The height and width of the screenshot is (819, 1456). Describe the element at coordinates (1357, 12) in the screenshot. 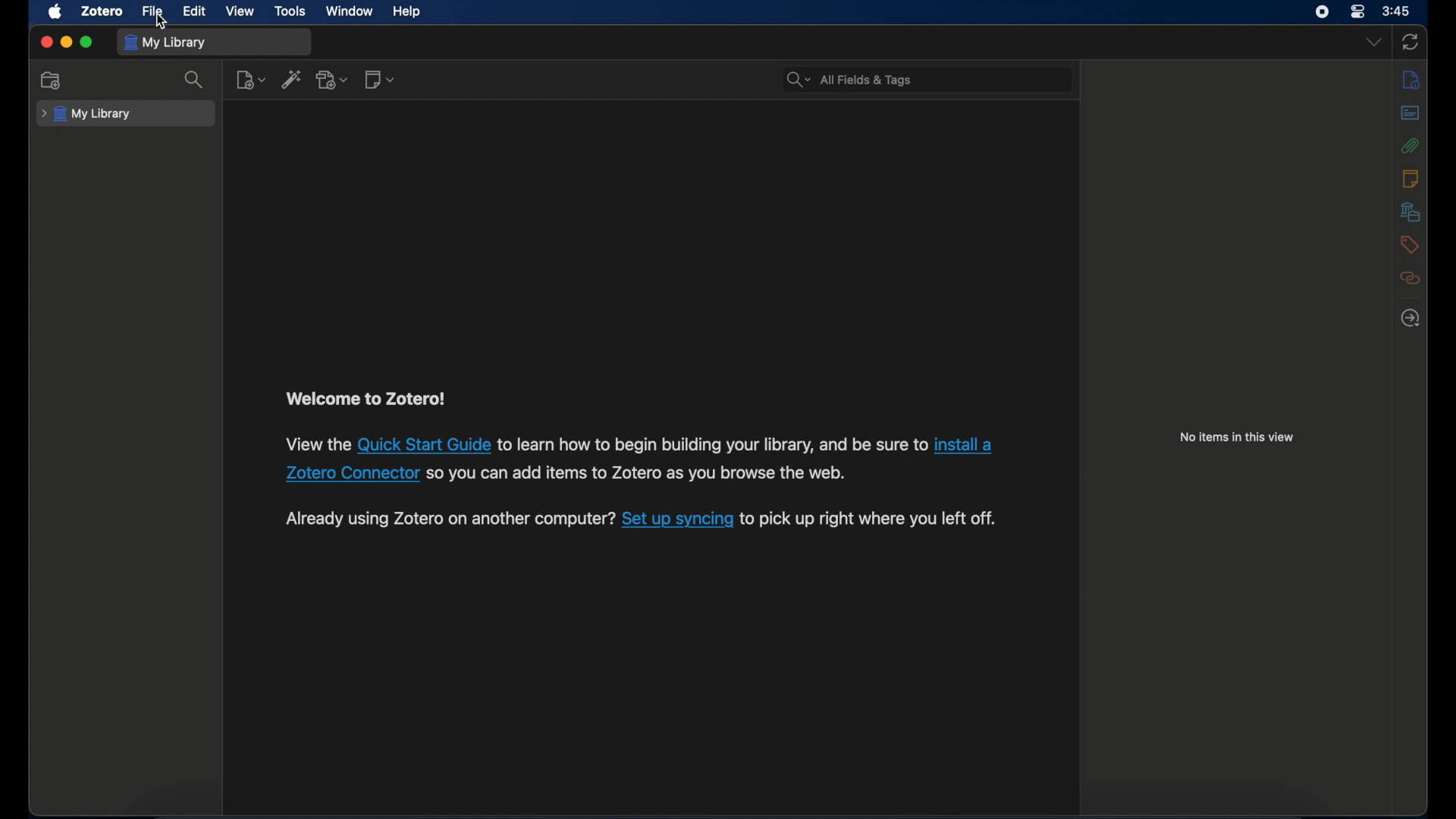

I see `control center` at that location.